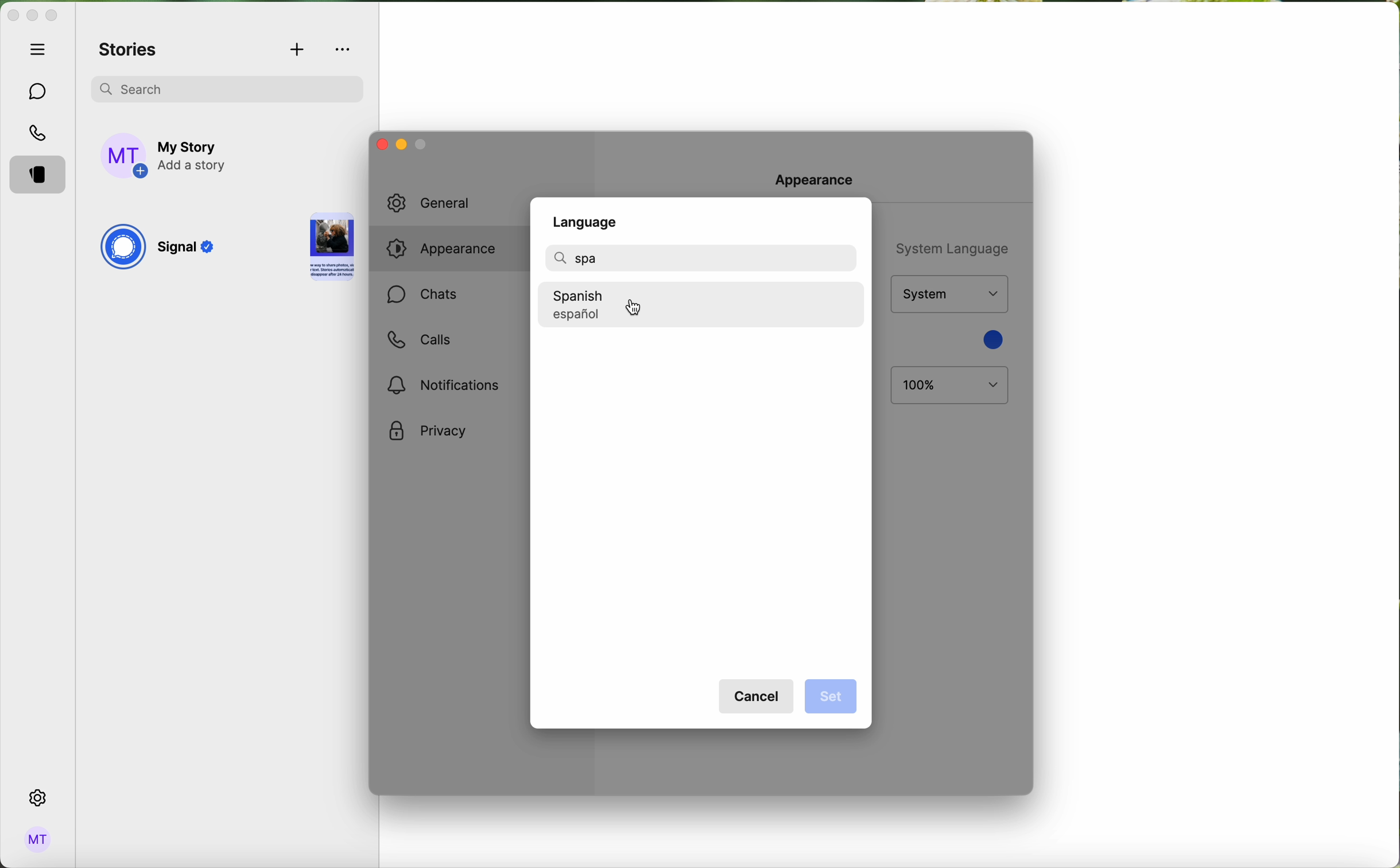  What do you see at coordinates (129, 51) in the screenshot?
I see `stories` at bounding box center [129, 51].